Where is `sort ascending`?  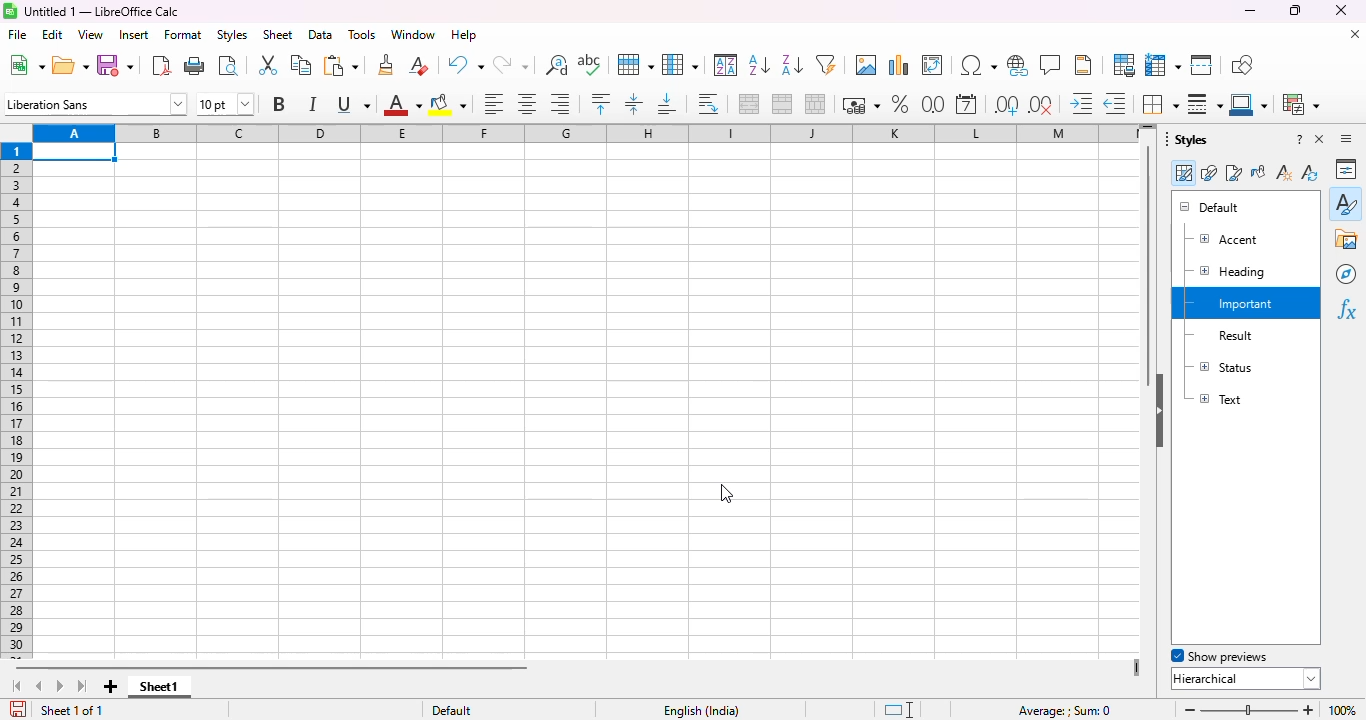
sort ascending is located at coordinates (759, 64).